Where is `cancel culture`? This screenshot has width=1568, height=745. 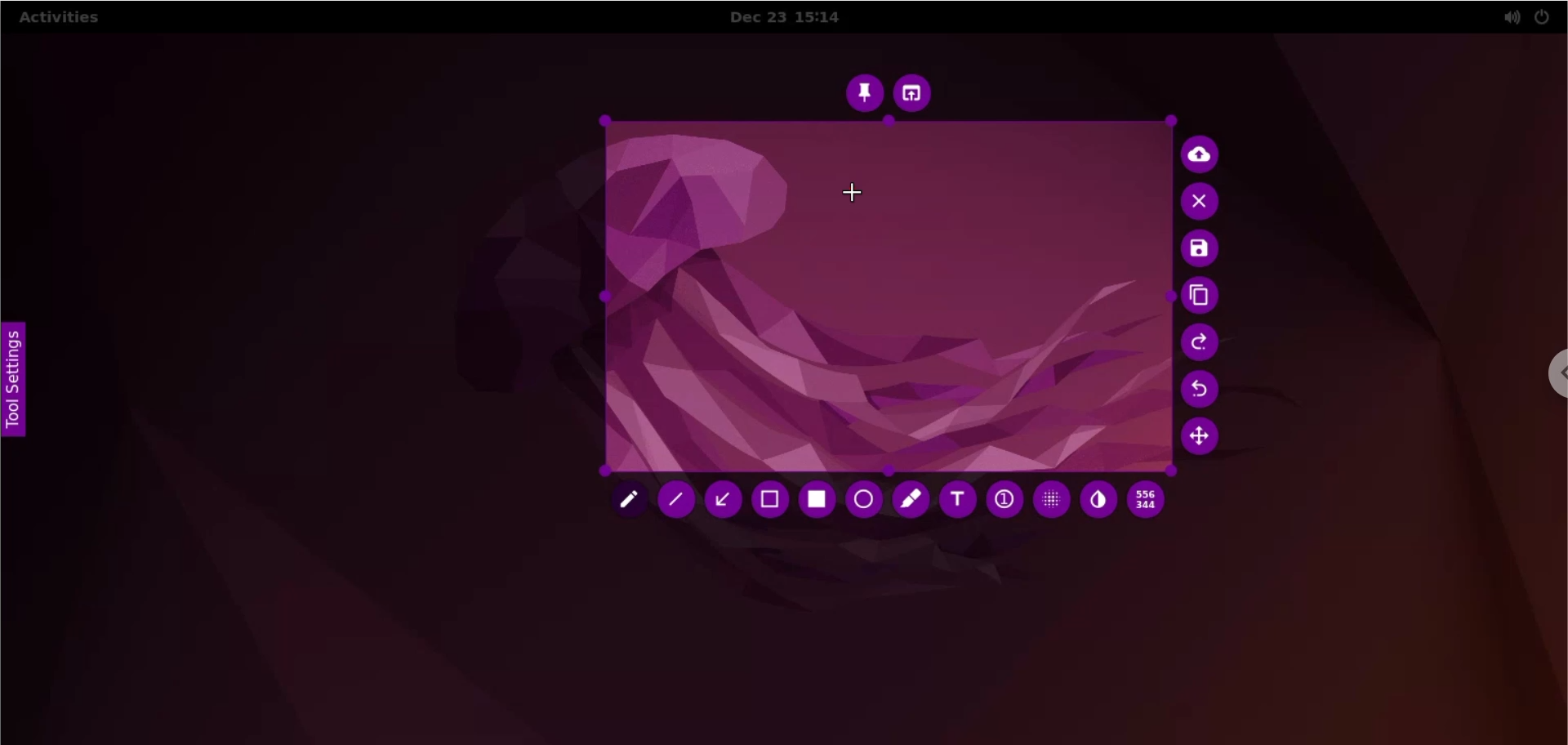 cancel culture is located at coordinates (1203, 203).